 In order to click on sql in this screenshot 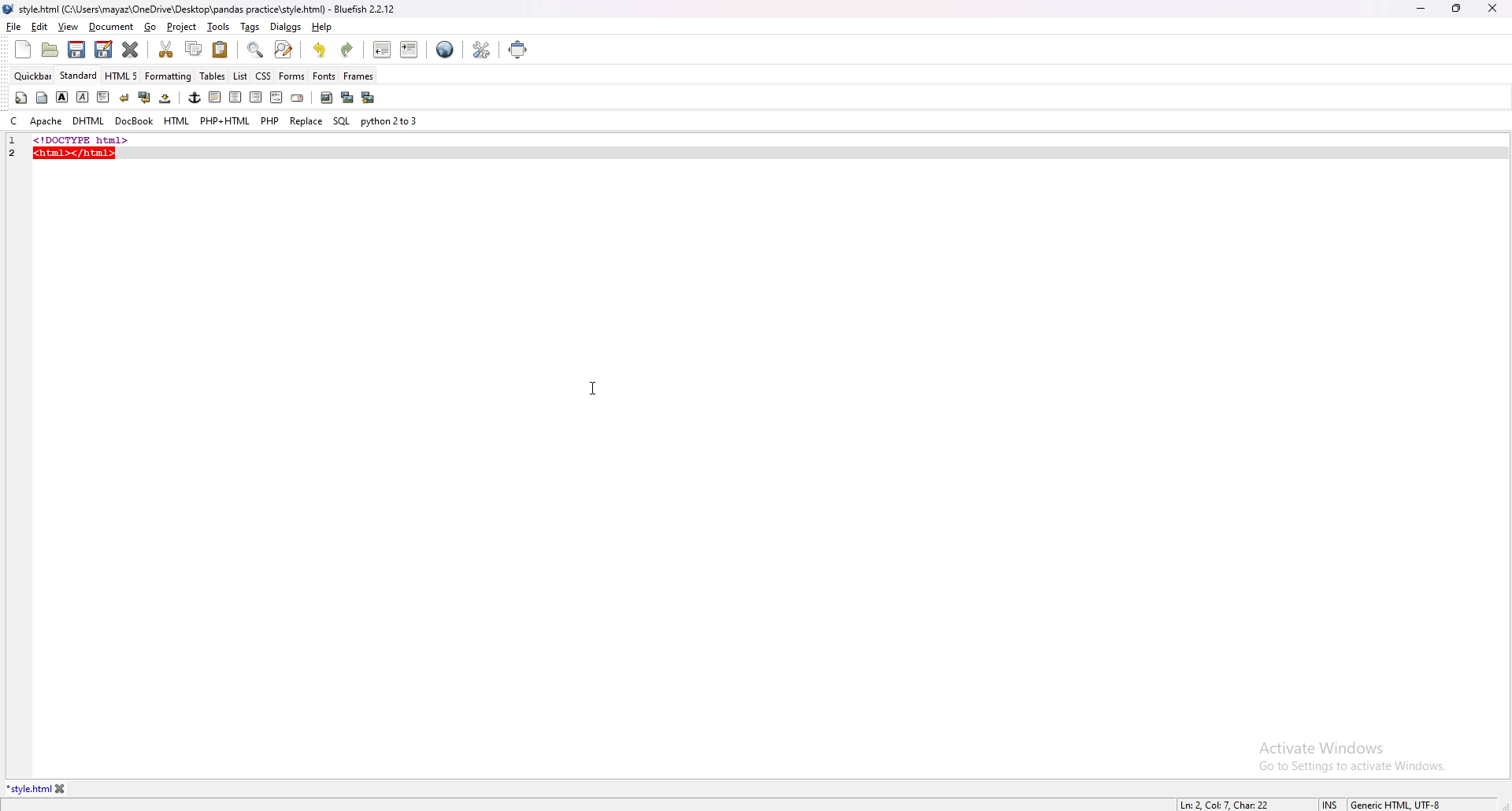, I will do `click(341, 120)`.